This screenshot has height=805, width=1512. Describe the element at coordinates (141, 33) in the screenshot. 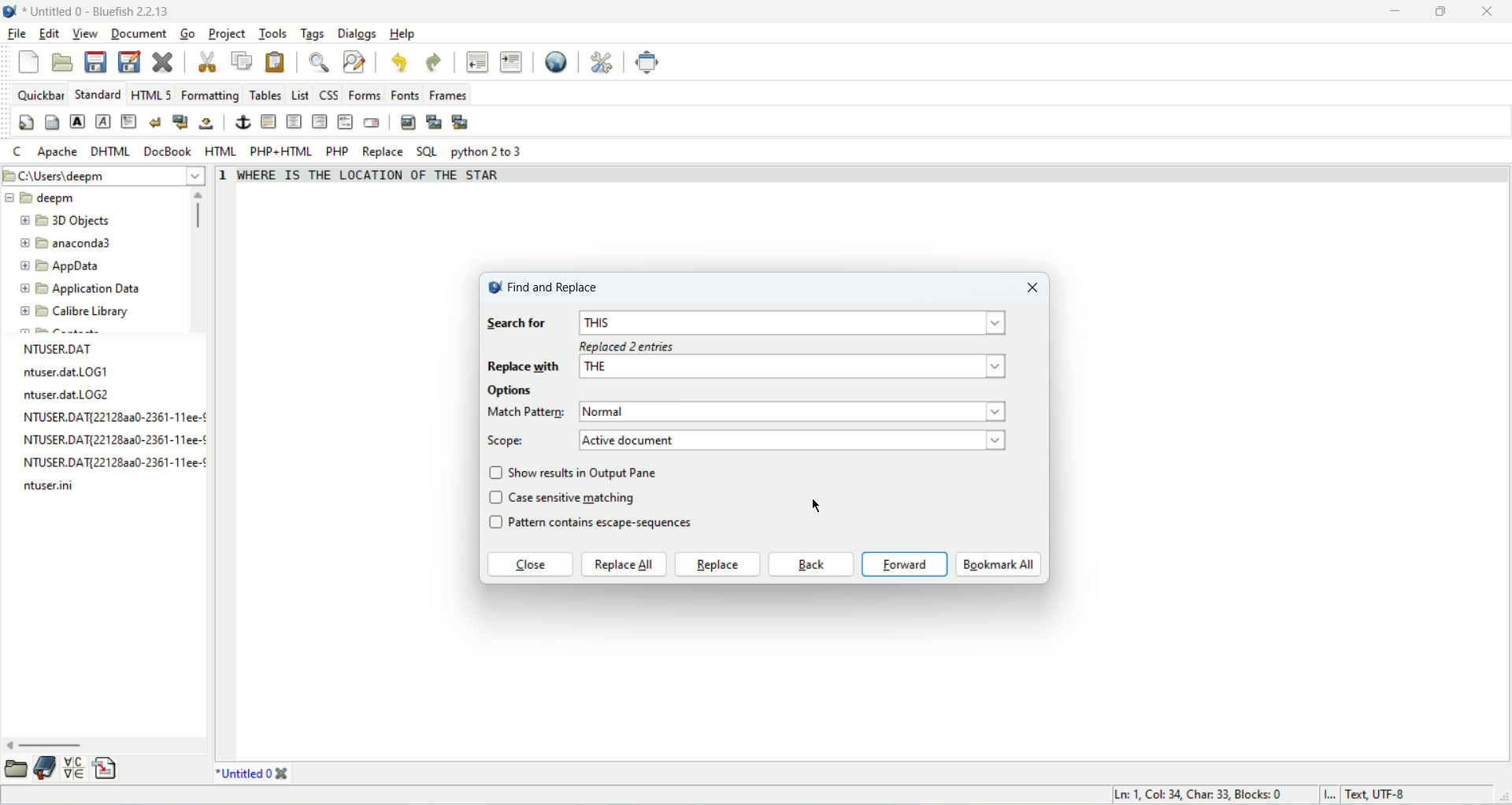

I see `document` at that location.